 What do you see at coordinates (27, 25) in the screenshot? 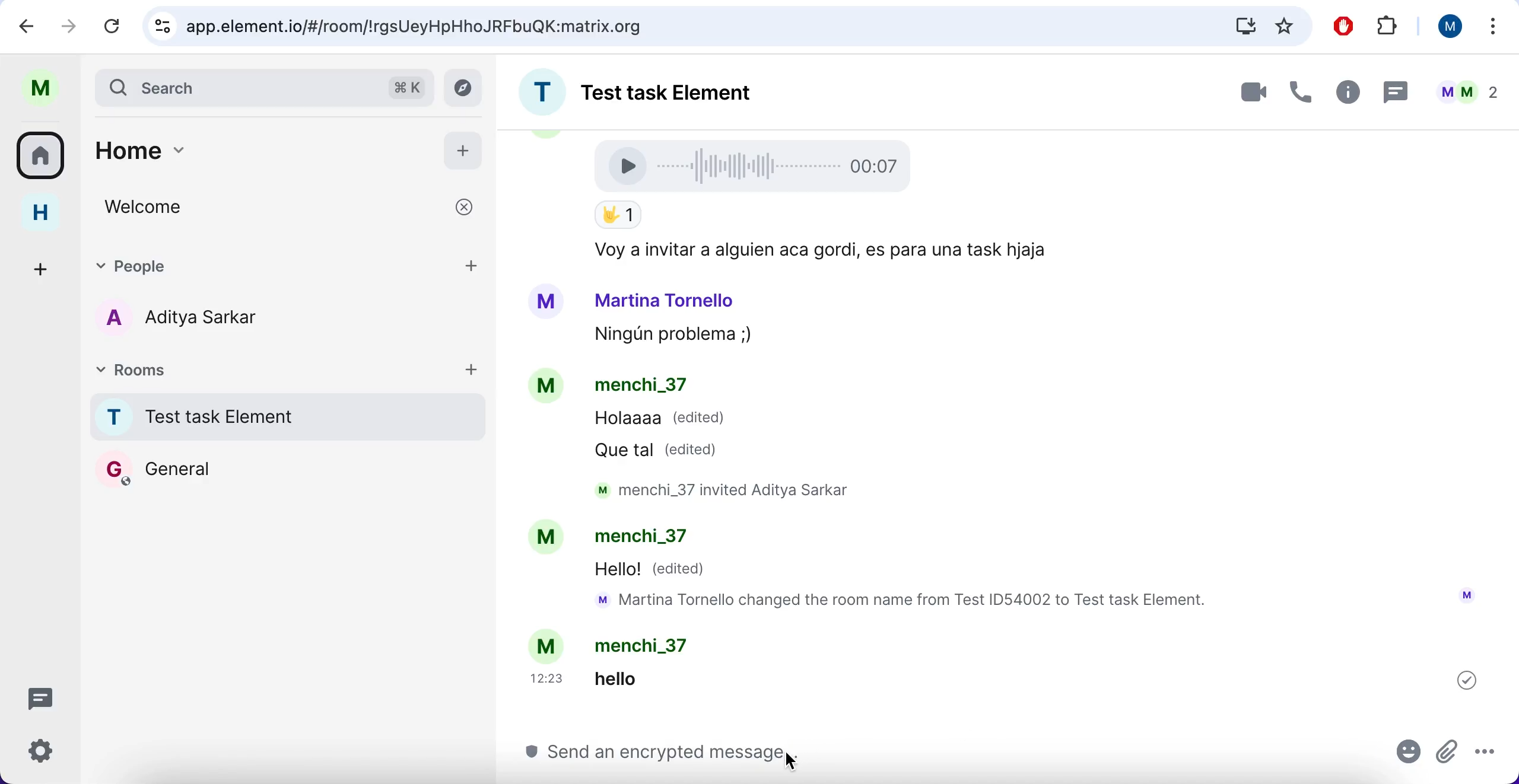
I see `backward` at bounding box center [27, 25].